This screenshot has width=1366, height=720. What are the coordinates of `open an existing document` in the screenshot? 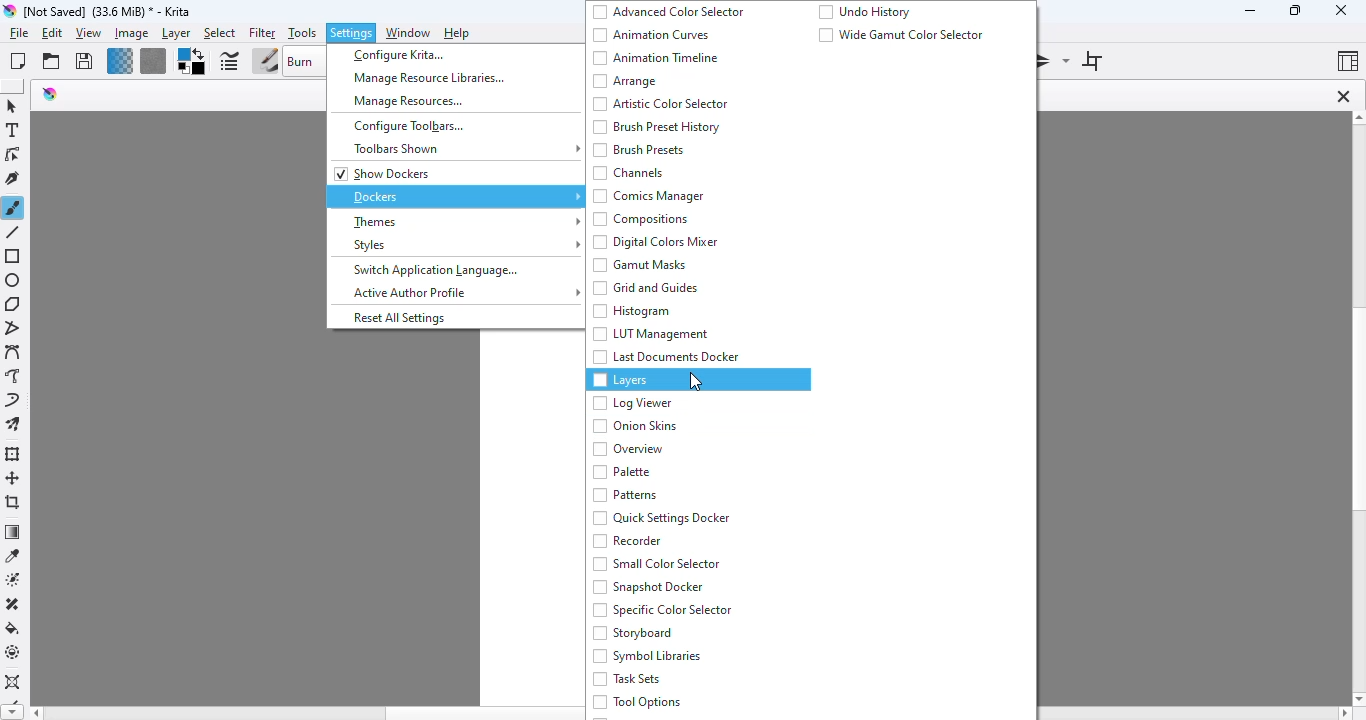 It's located at (51, 61).